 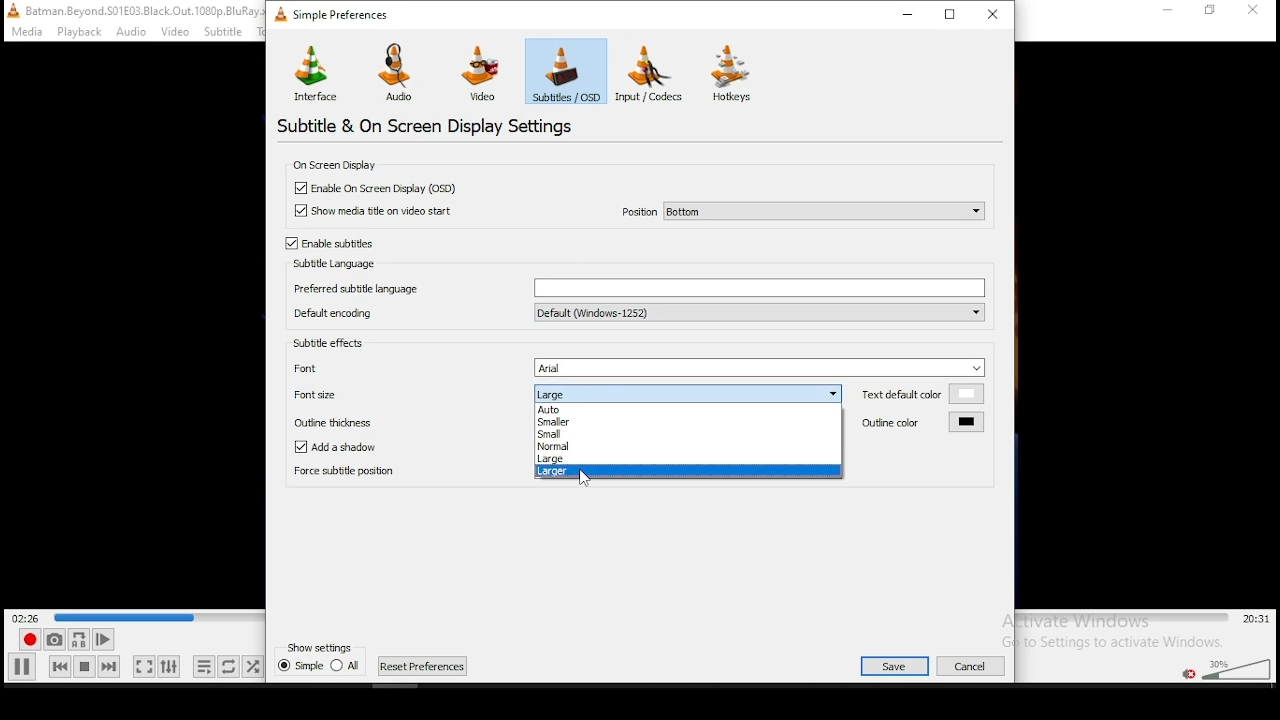 I want to click on auto, so click(x=687, y=409).